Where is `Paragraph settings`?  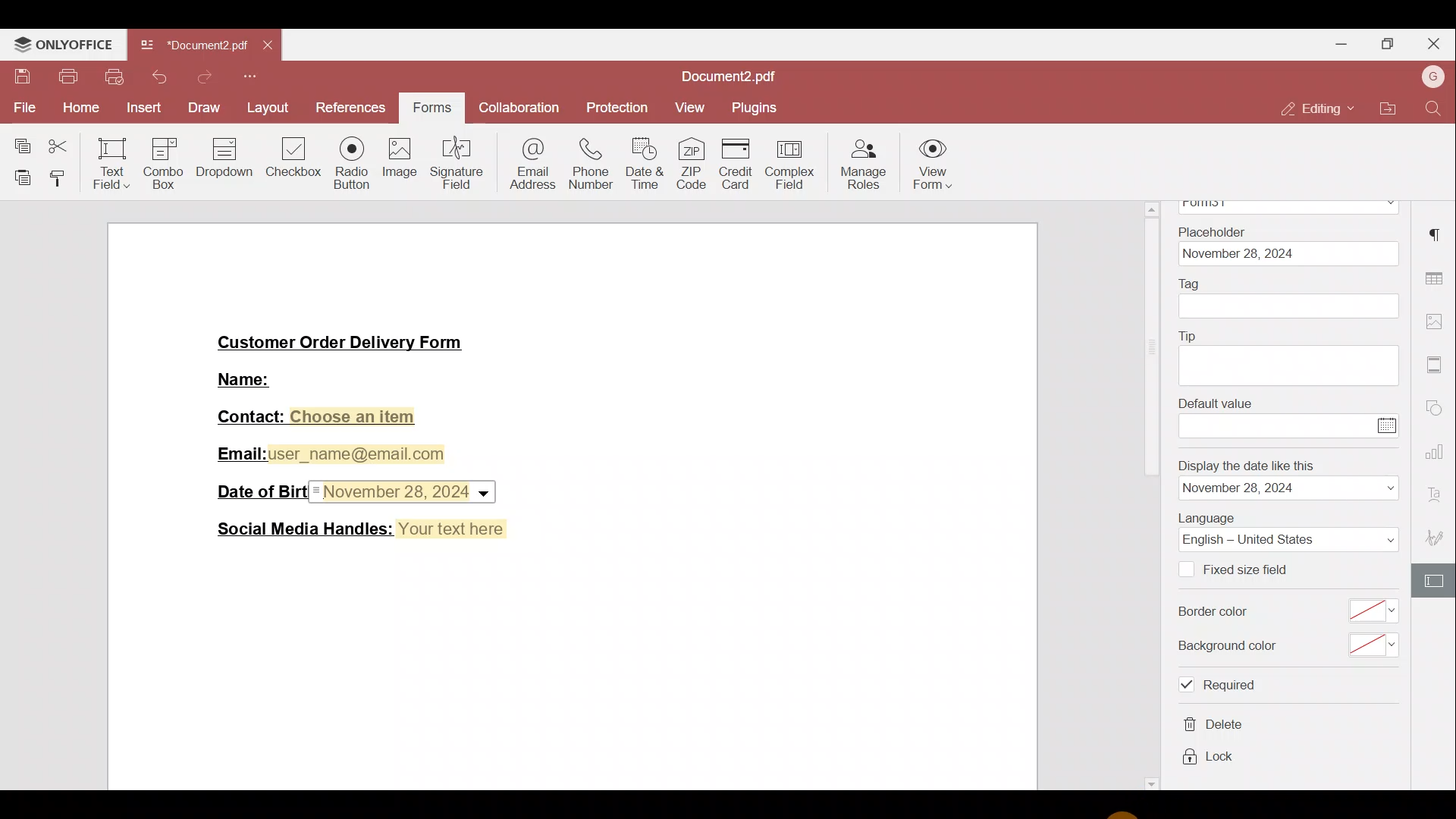 Paragraph settings is located at coordinates (1439, 234).